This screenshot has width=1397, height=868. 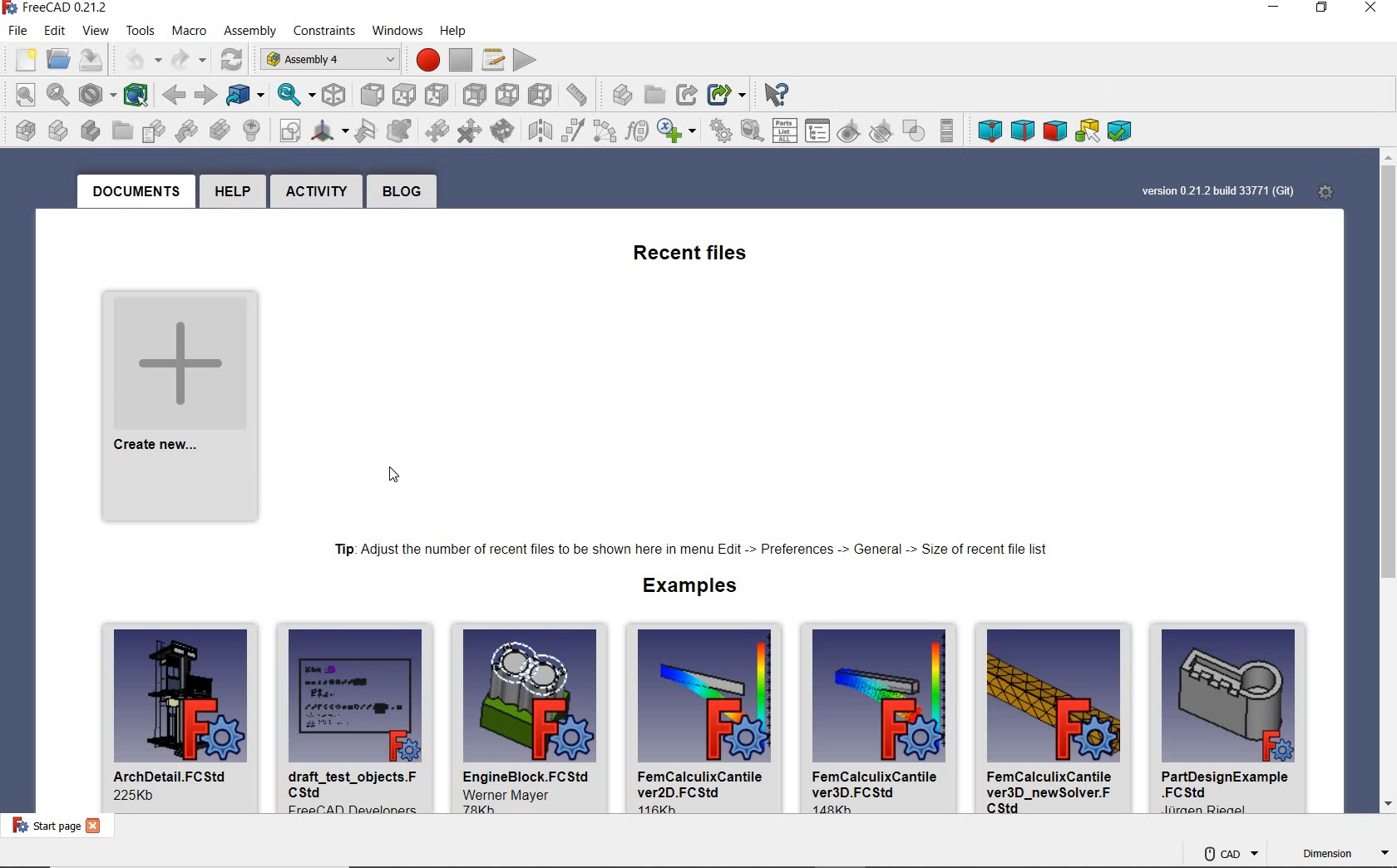 I want to click on show LCS, so click(x=850, y=130).